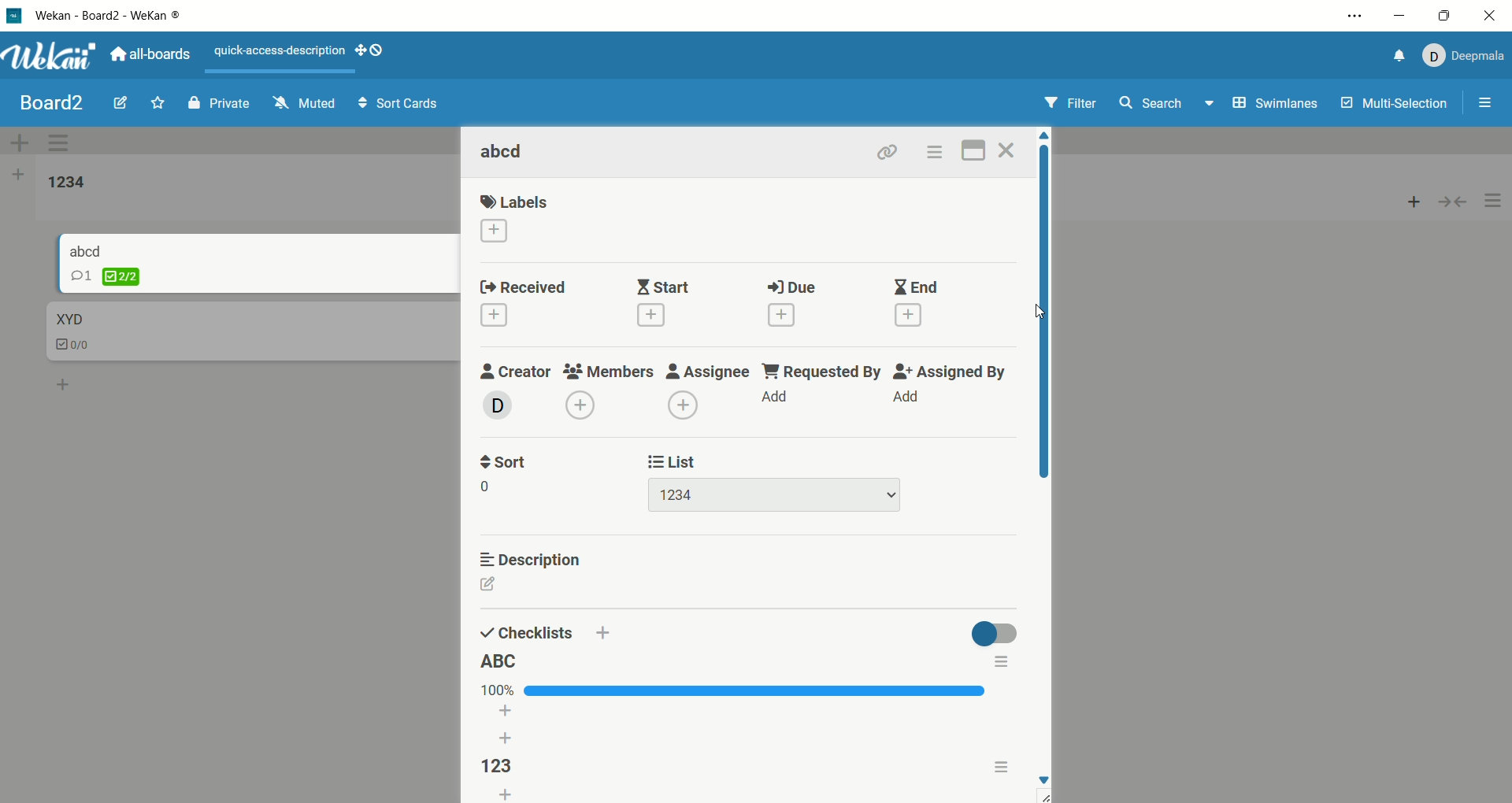 The width and height of the screenshot is (1512, 803). Describe the element at coordinates (888, 151) in the screenshot. I see `link` at that location.